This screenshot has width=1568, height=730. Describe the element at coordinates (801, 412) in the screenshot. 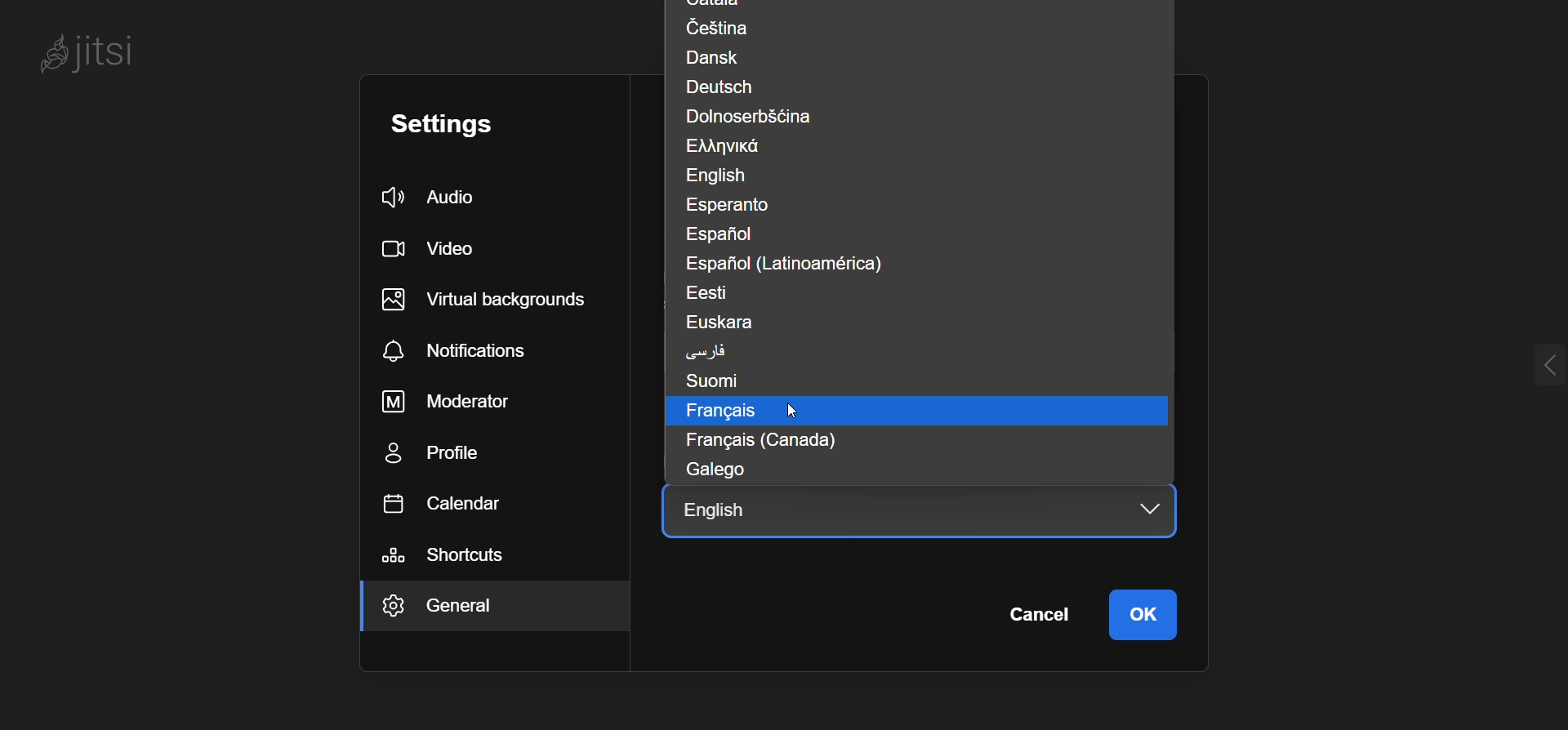

I see `Cursor` at that location.